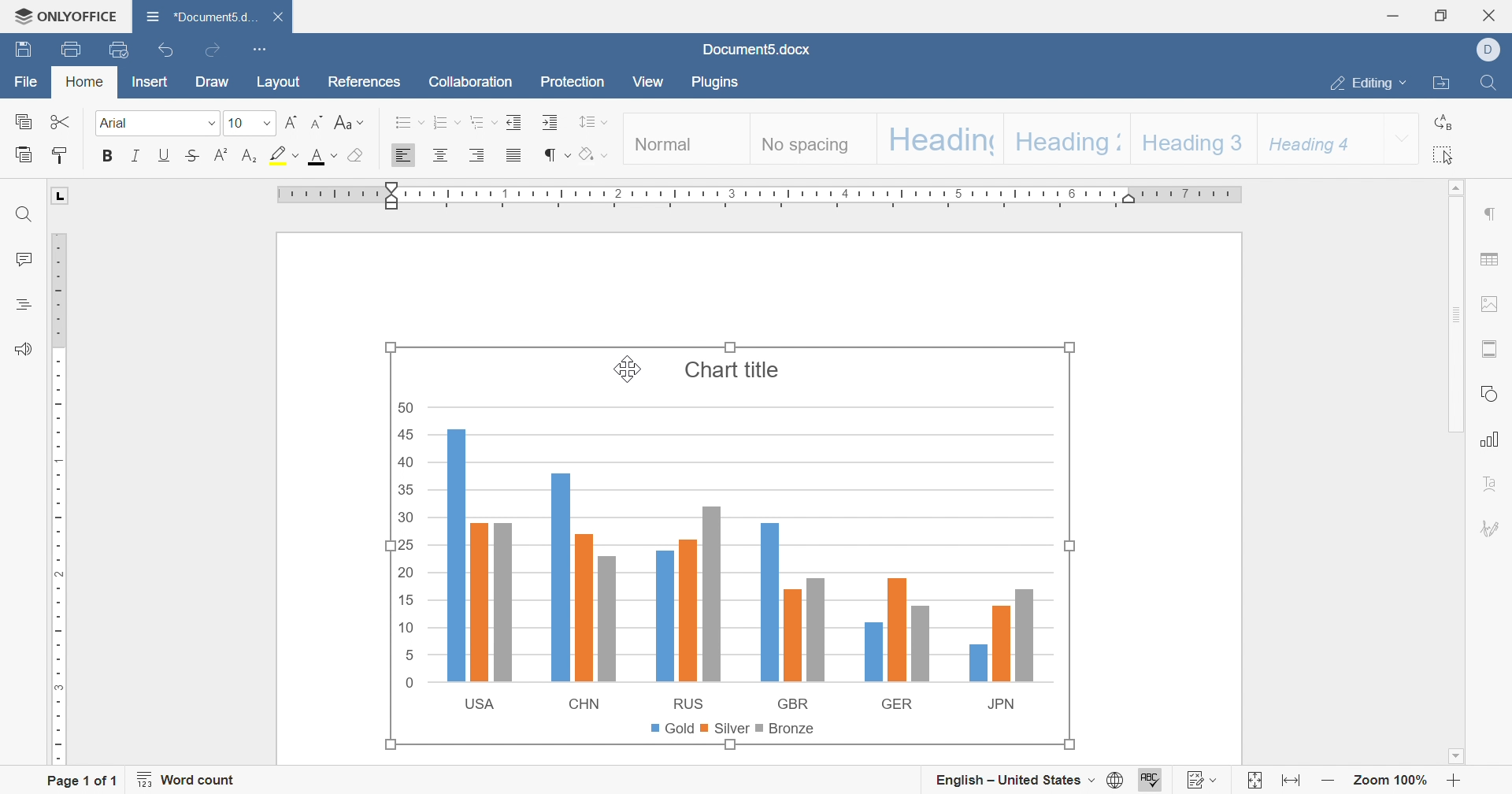 Image resolution: width=1512 pixels, height=794 pixels. I want to click on track changes, so click(1203, 779).